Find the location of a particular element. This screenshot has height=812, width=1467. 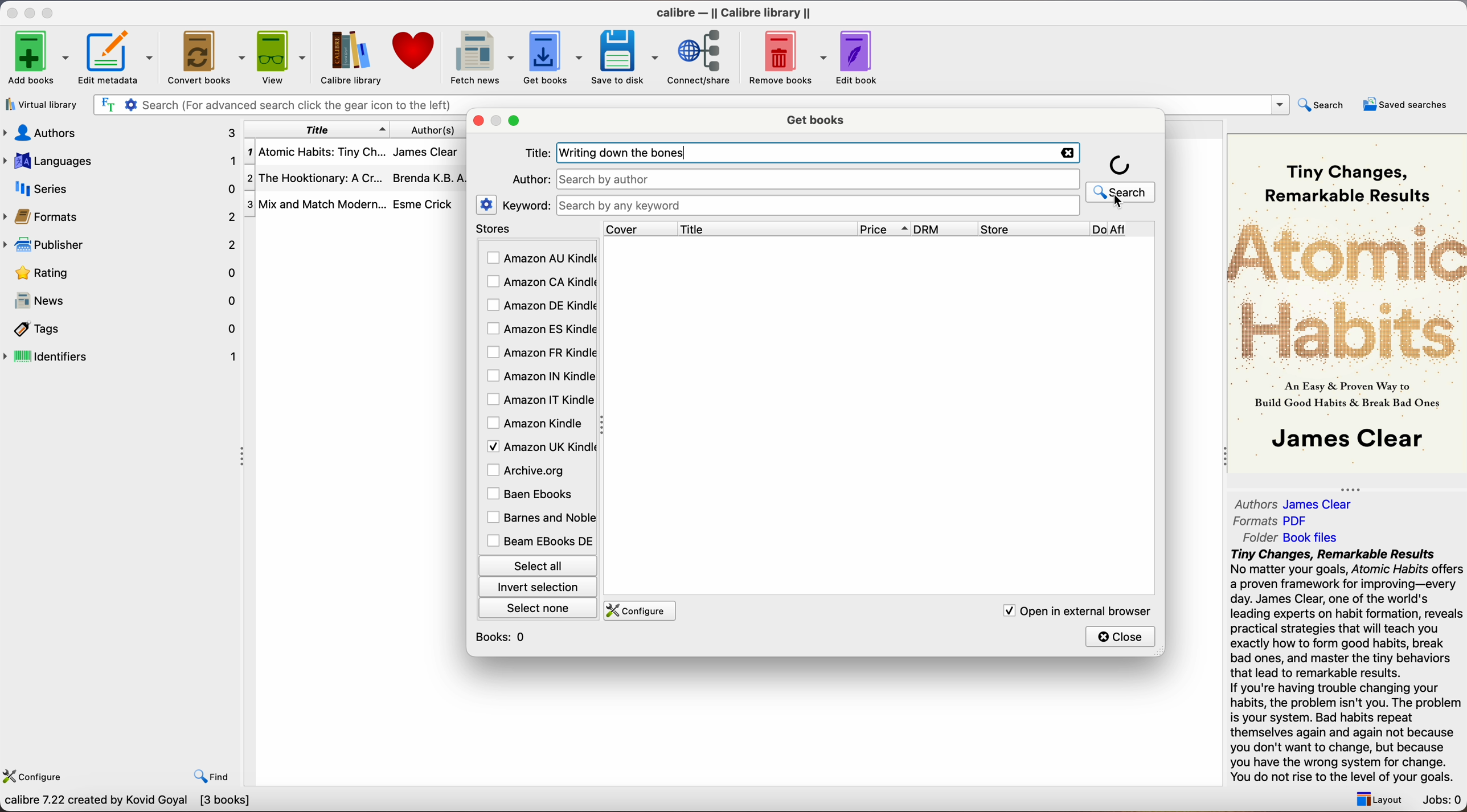

DRM is located at coordinates (946, 229).